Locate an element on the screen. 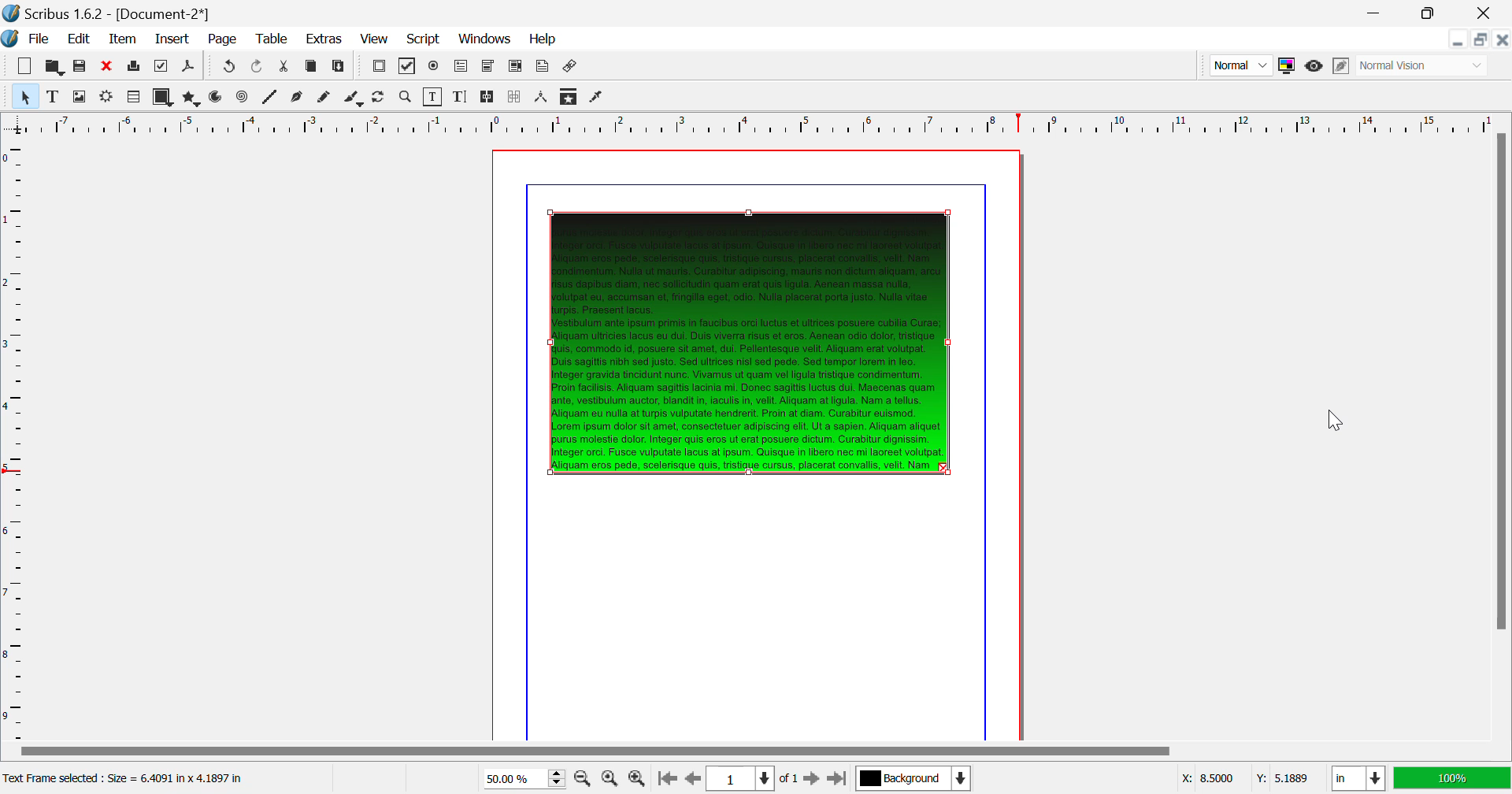  Pdf Push Button is located at coordinates (379, 68).